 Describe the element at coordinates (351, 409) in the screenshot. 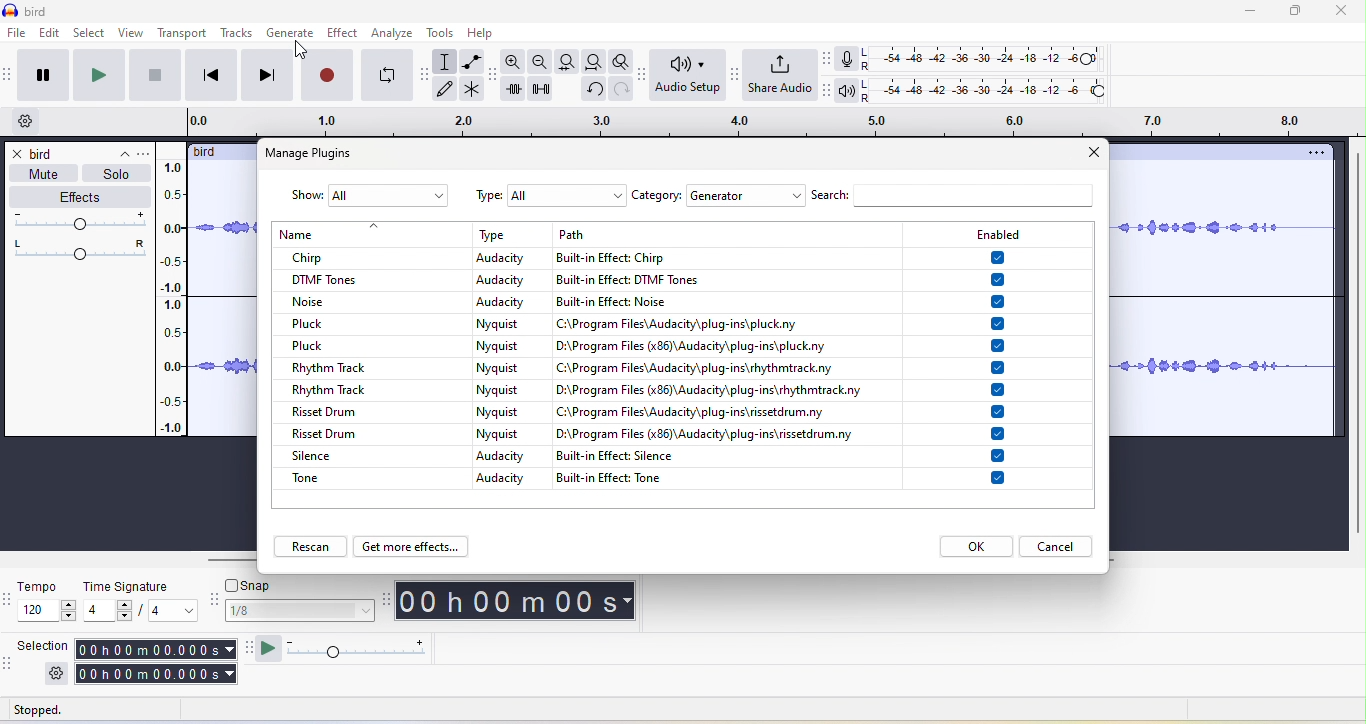

I see `risset drum` at that location.